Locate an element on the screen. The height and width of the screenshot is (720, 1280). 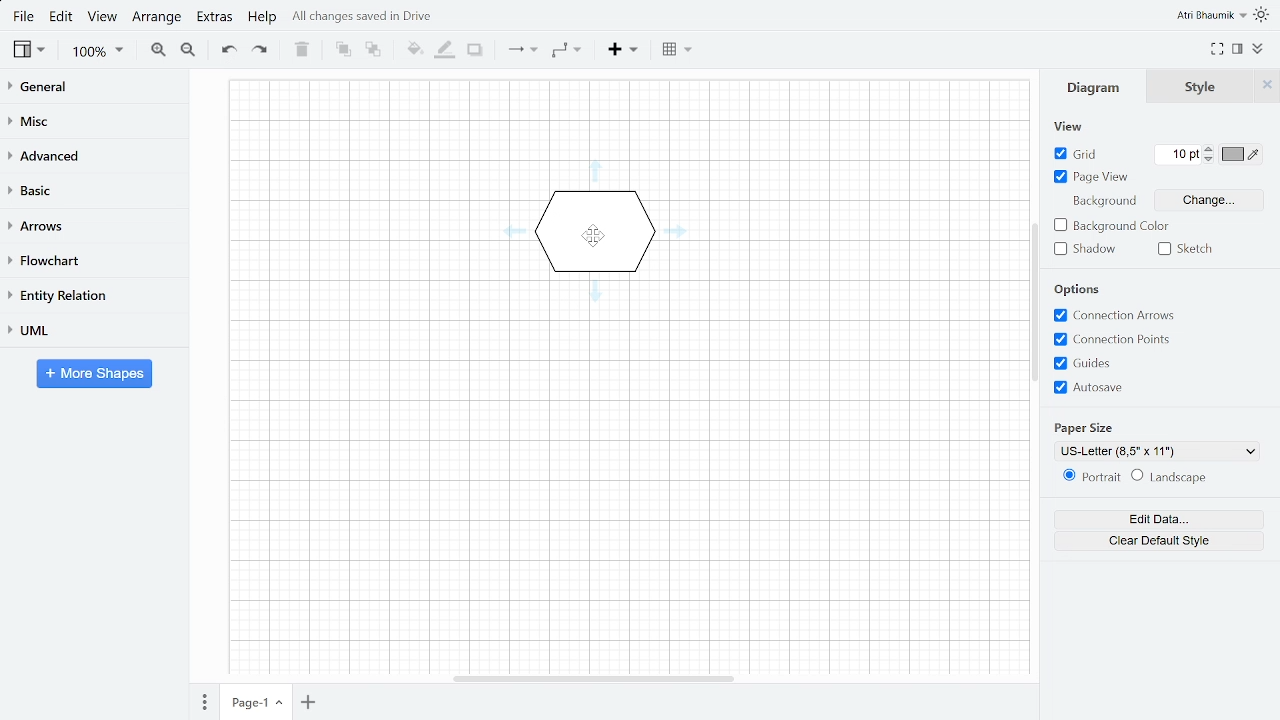
Table is located at coordinates (676, 50).